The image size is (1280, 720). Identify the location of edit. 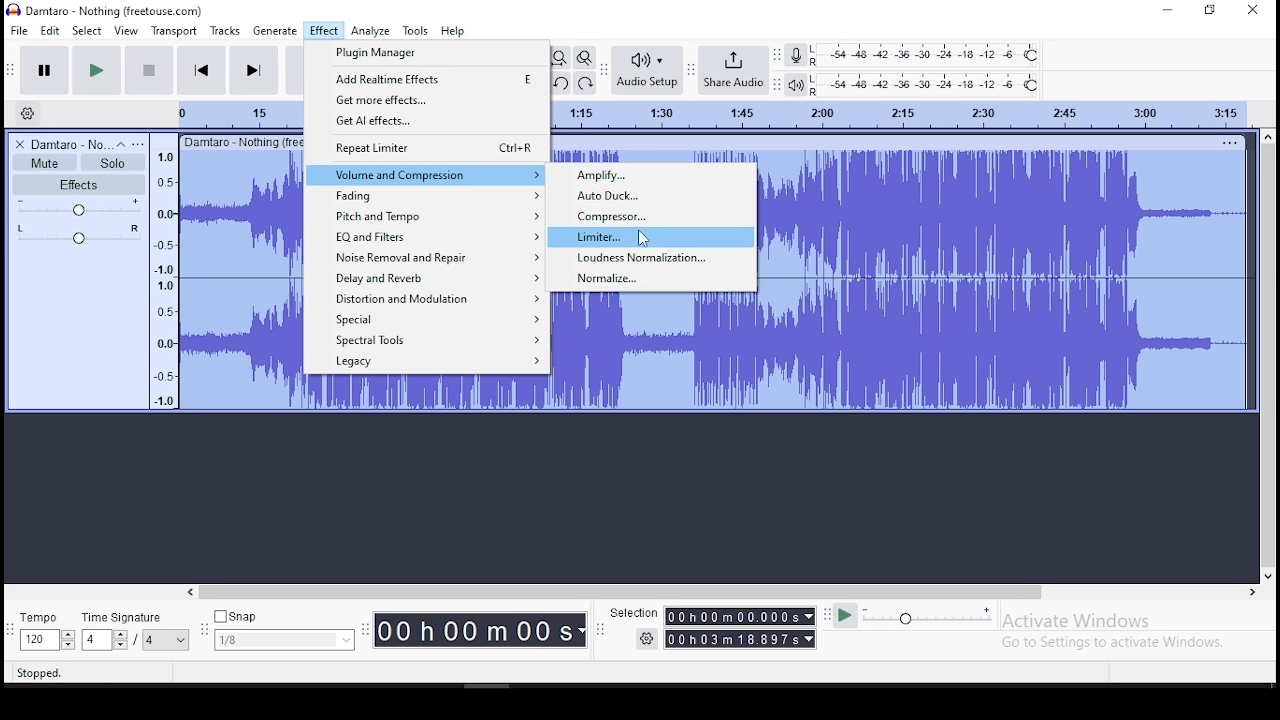
(50, 30).